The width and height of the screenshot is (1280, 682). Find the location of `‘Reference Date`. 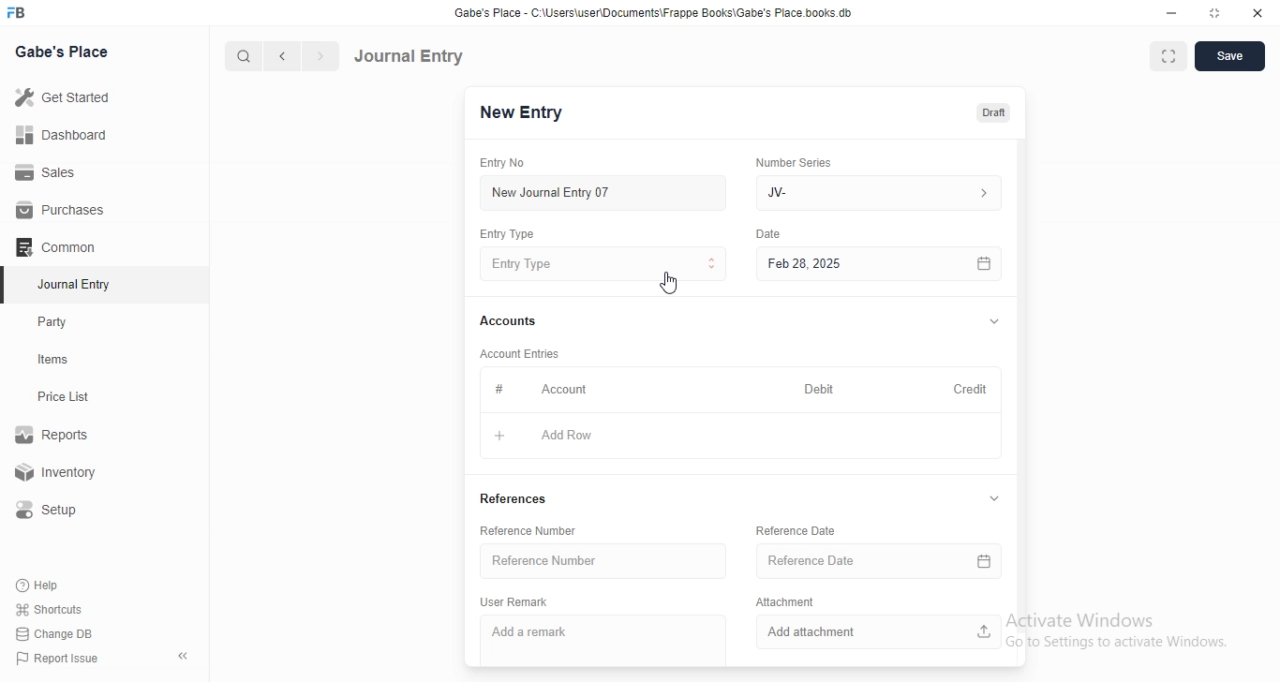

‘Reference Date is located at coordinates (796, 530).